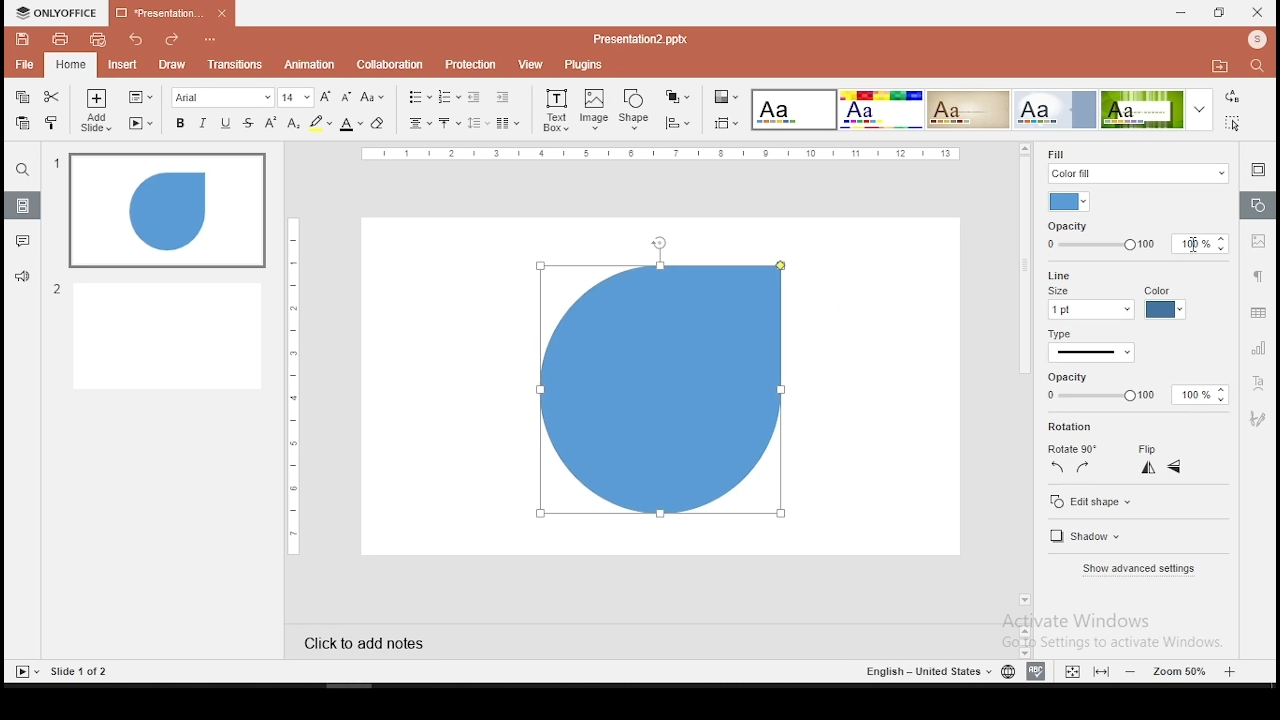 This screenshot has width=1280, height=720. What do you see at coordinates (1256, 206) in the screenshot?
I see `shape settings` at bounding box center [1256, 206].